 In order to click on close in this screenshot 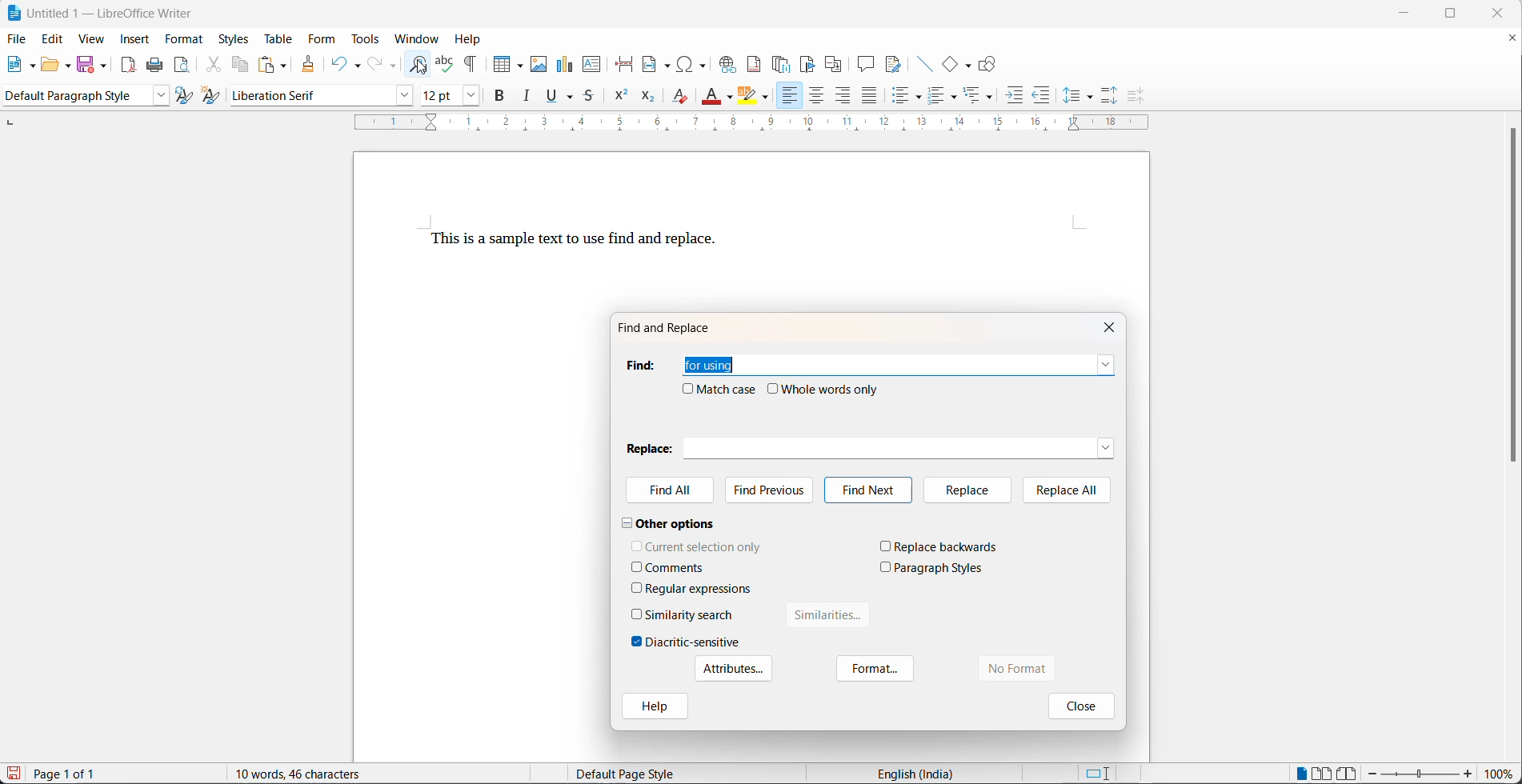, I will do `click(1113, 326)`.